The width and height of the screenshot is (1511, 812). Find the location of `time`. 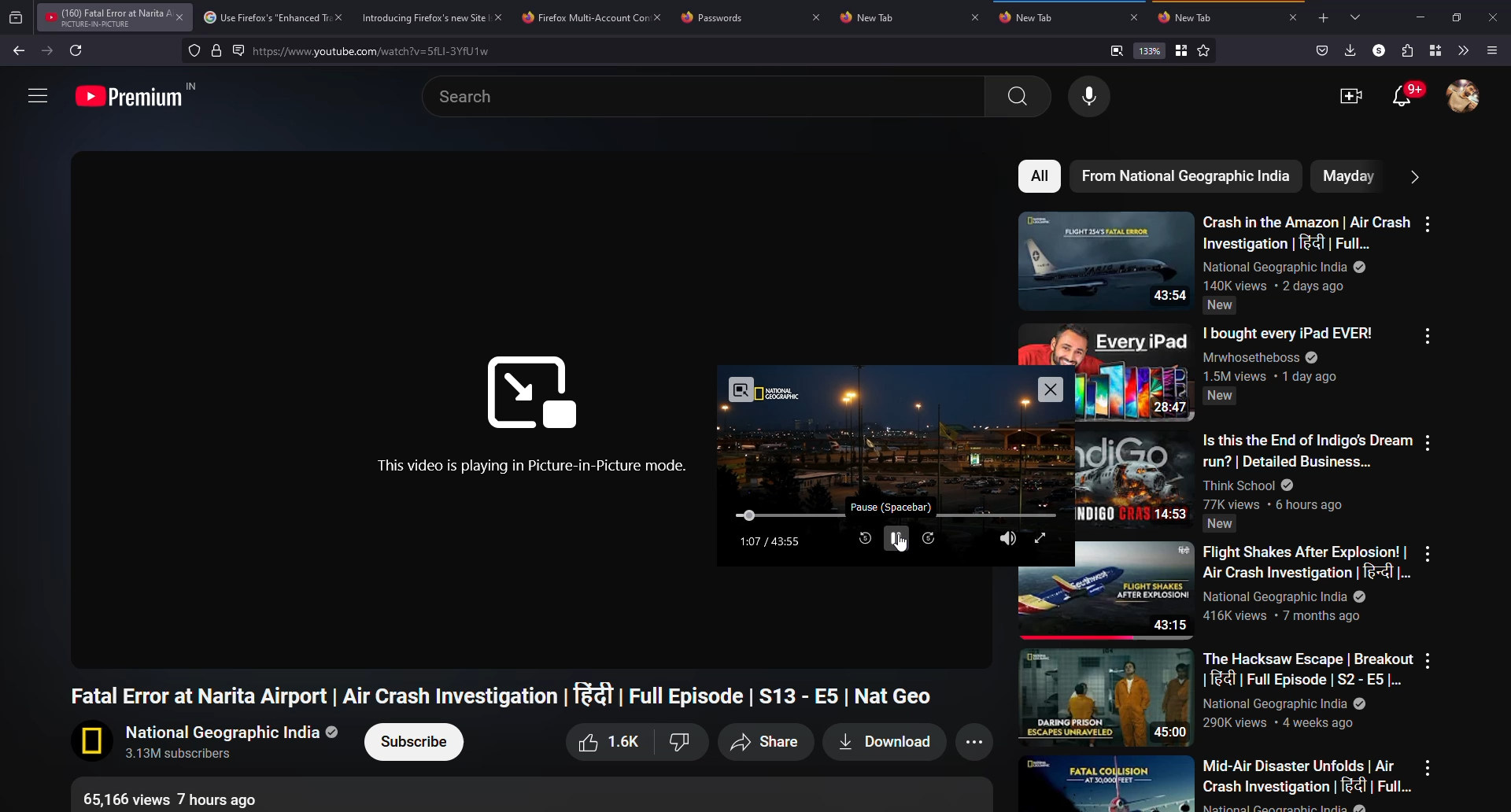

time is located at coordinates (772, 542).